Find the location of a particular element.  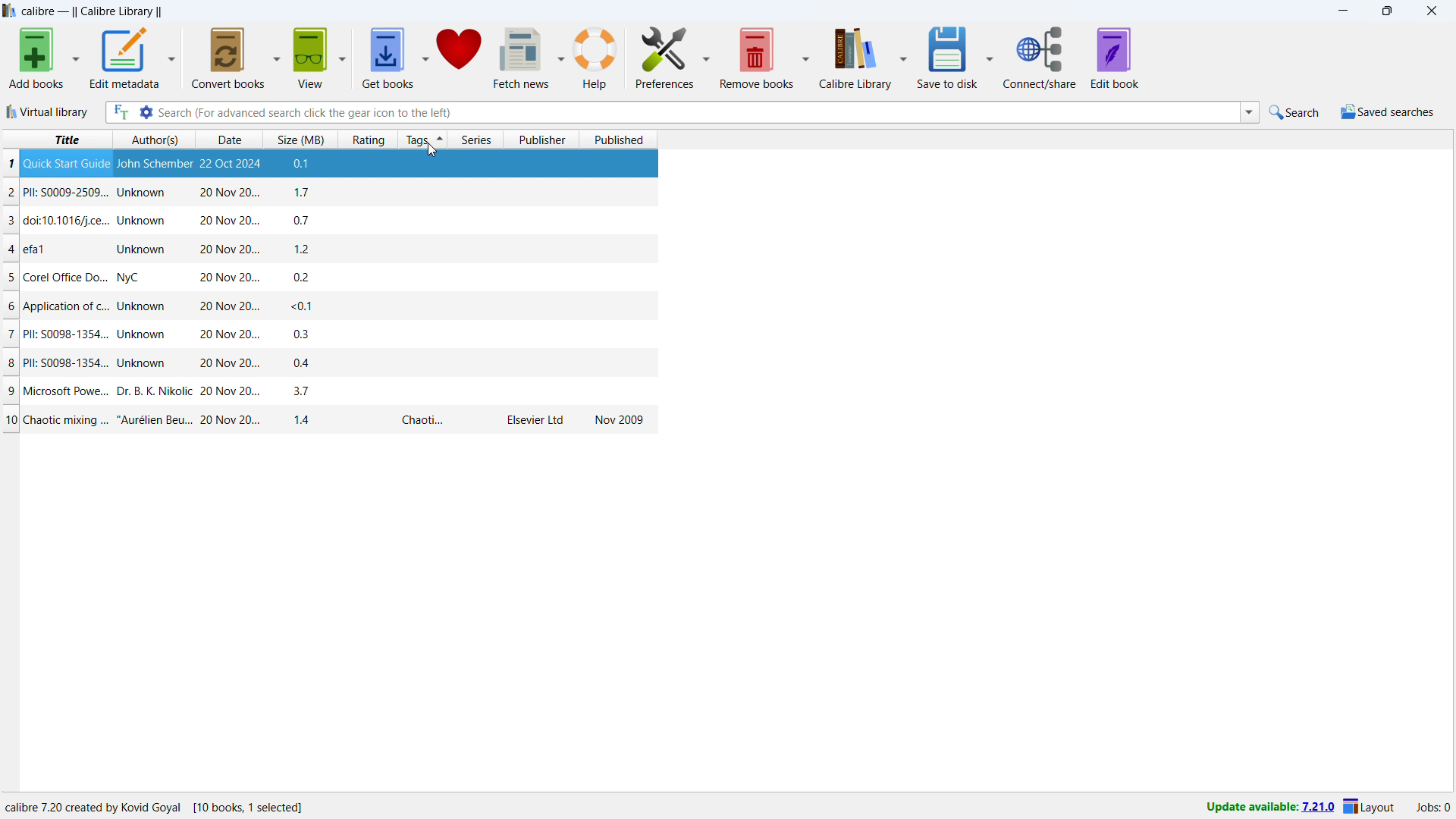

view is located at coordinates (310, 58).